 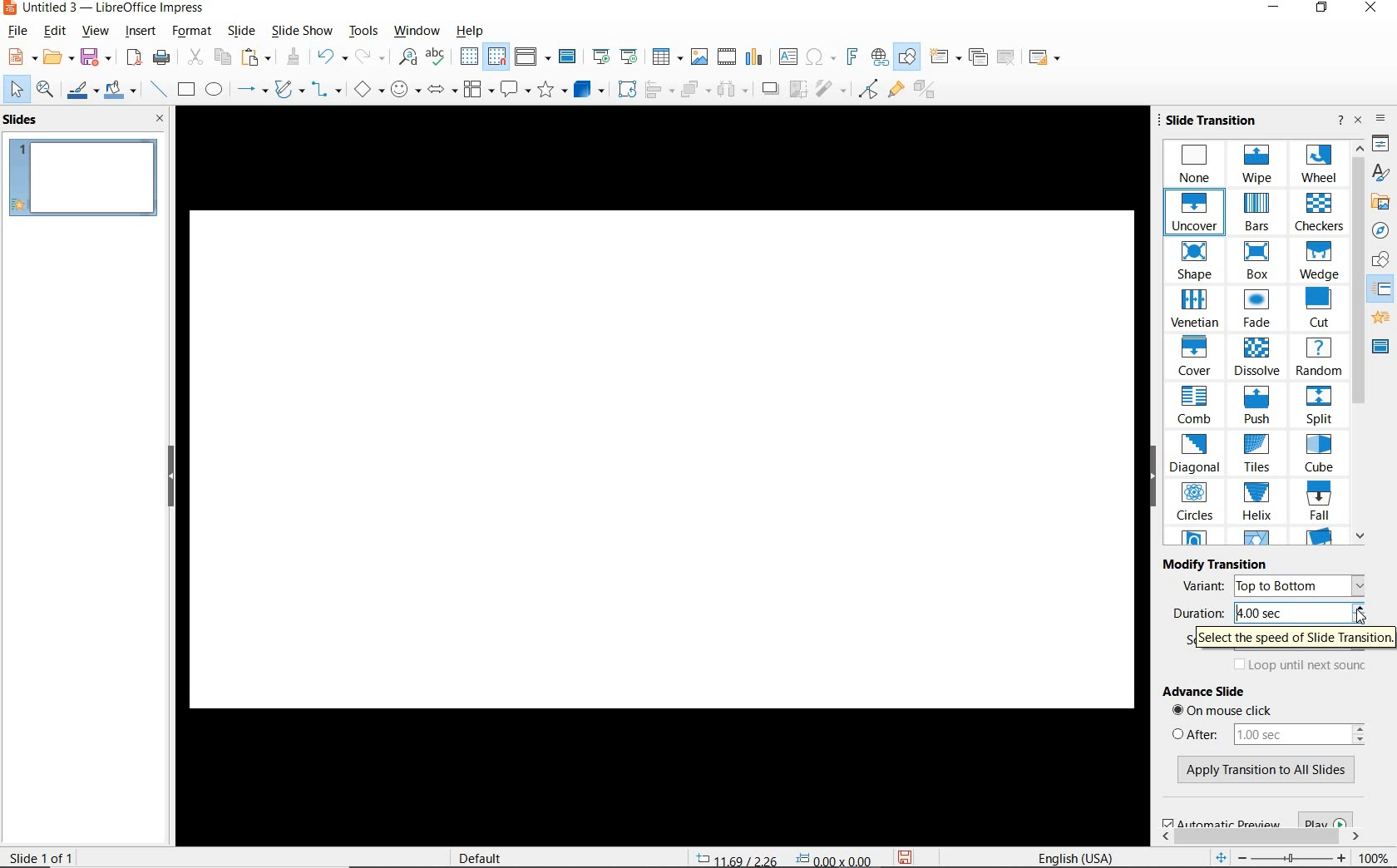 I want to click on ALIGN OBJECTS, so click(x=659, y=89).